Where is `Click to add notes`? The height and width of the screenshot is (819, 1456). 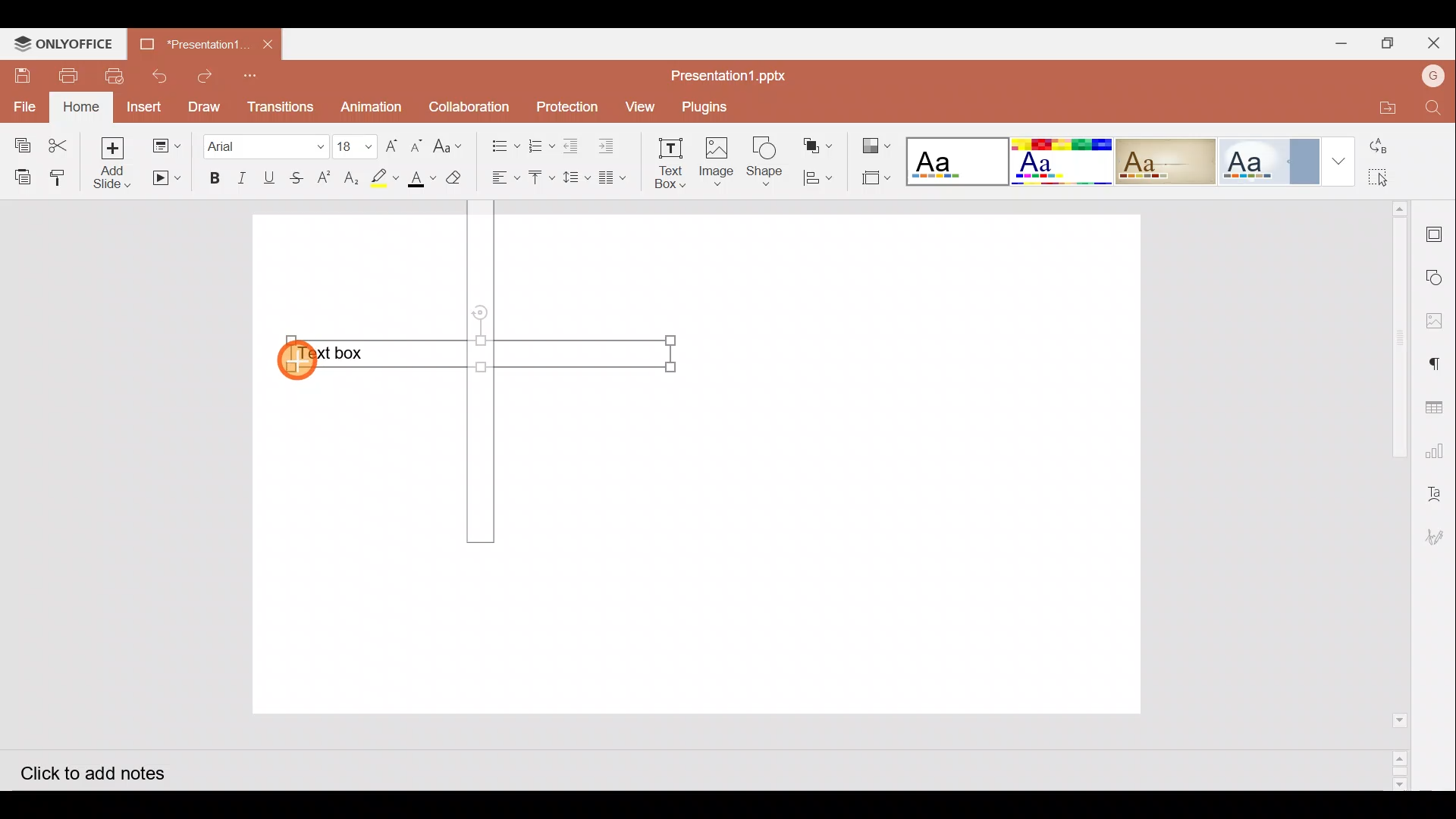
Click to add notes is located at coordinates (105, 770).